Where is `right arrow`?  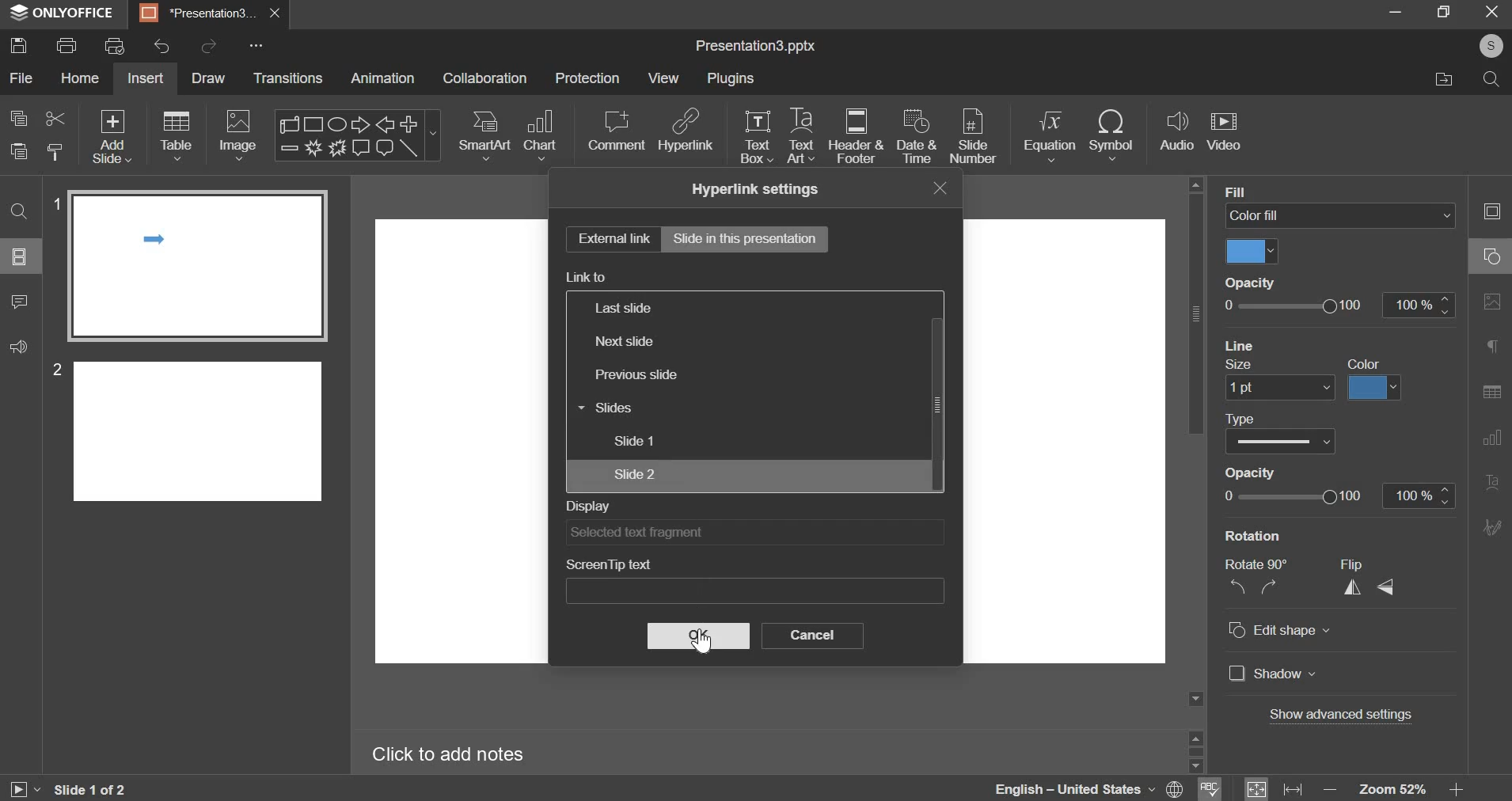
right arrow is located at coordinates (357, 123).